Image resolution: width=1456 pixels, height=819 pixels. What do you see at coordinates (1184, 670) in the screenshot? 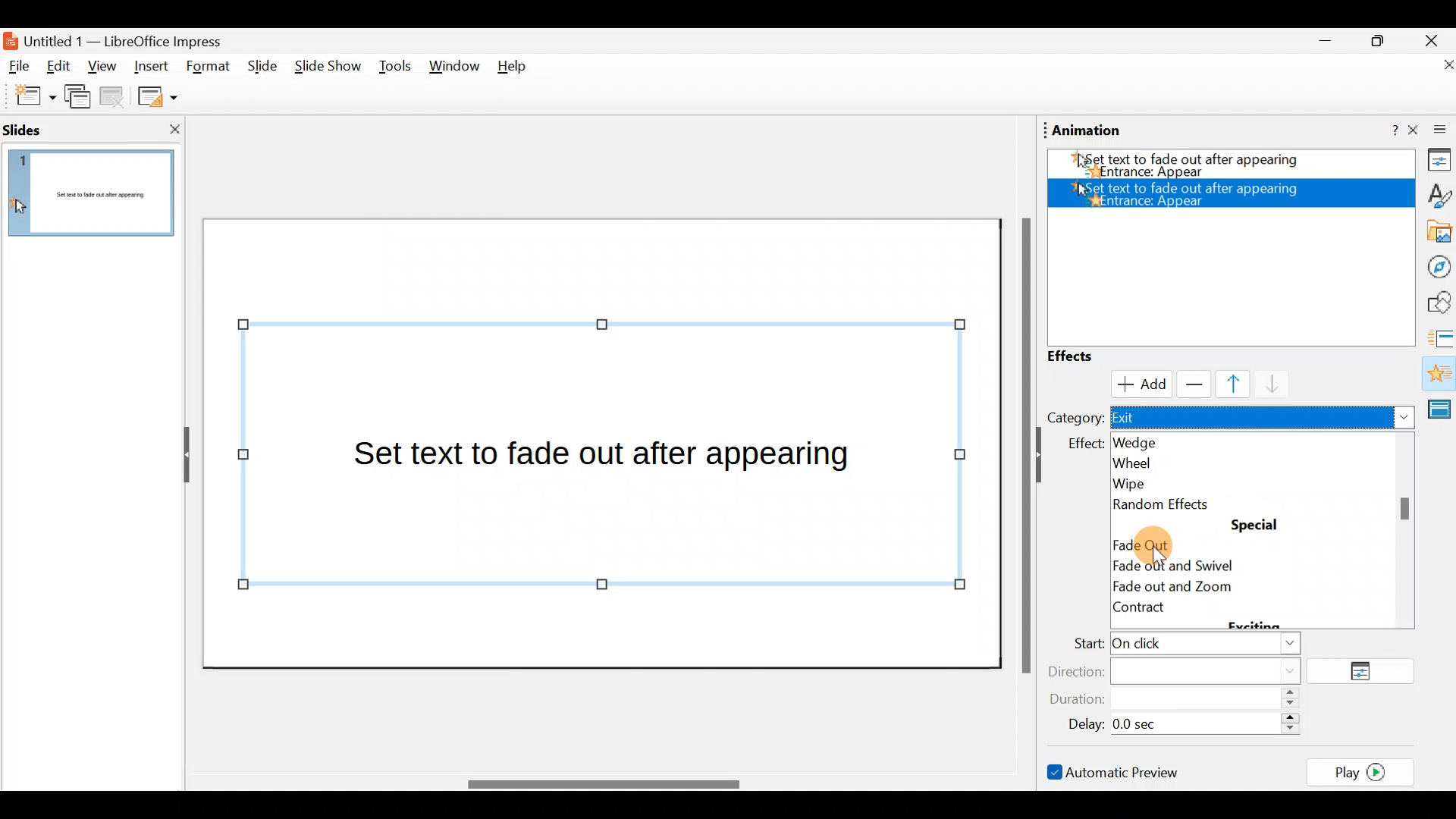
I see `Direction` at bounding box center [1184, 670].